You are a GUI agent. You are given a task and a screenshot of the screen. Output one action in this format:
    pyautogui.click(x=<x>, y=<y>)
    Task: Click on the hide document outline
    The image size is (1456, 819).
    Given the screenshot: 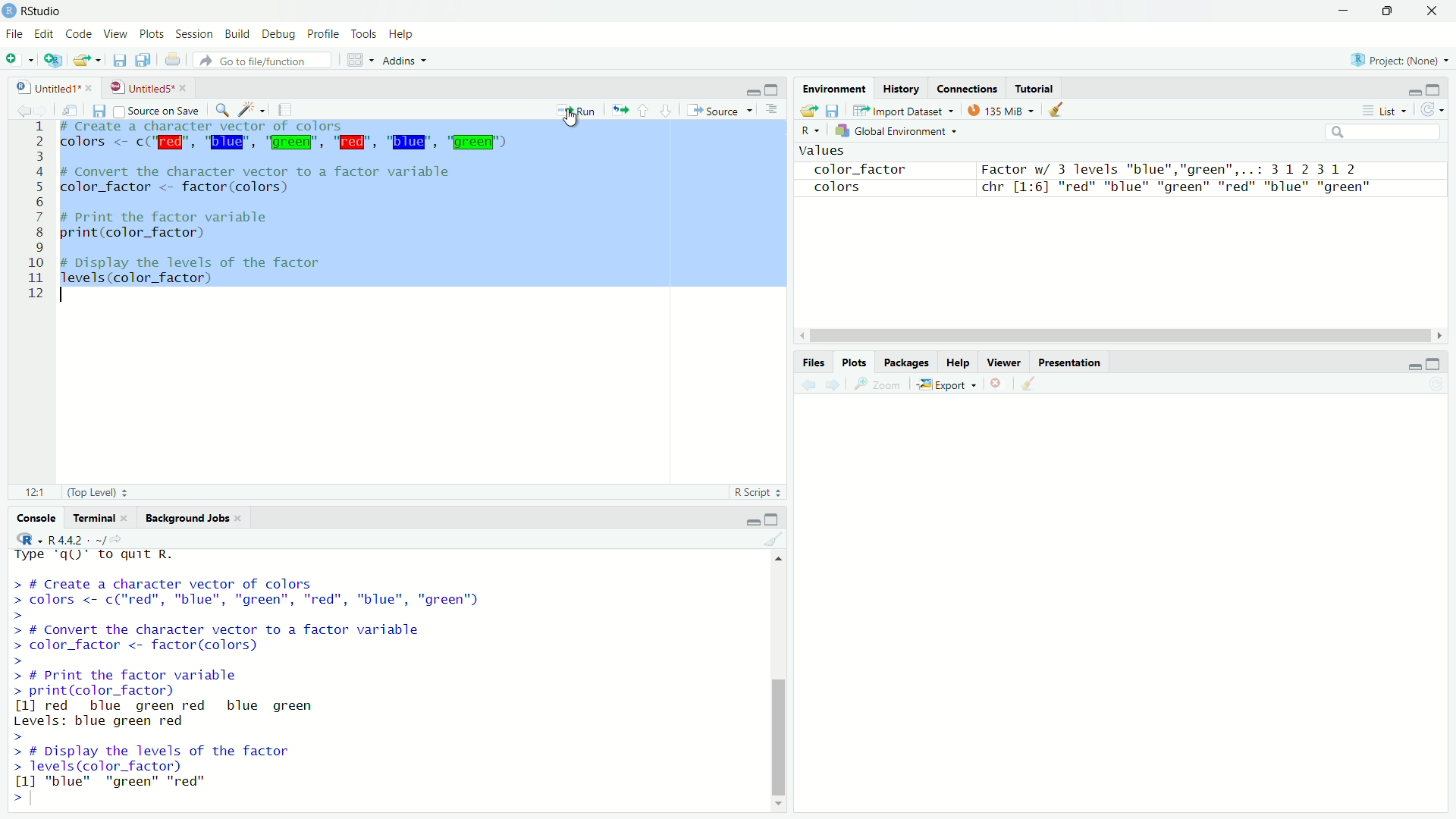 What is the action you would take?
    pyautogui.click(x=771, y=109)
    